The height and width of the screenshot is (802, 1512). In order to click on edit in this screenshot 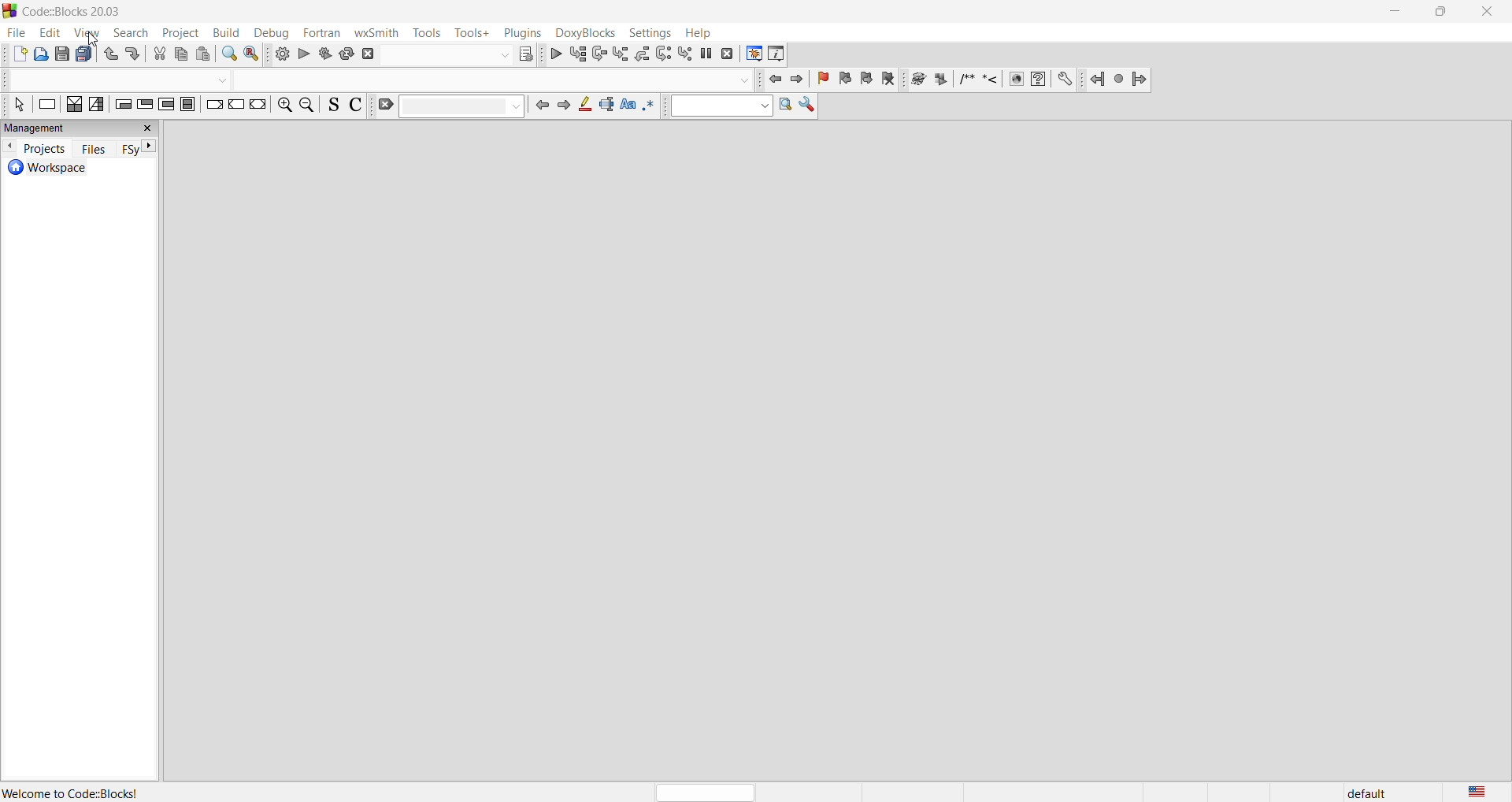, I will do `click(50, 32)`.